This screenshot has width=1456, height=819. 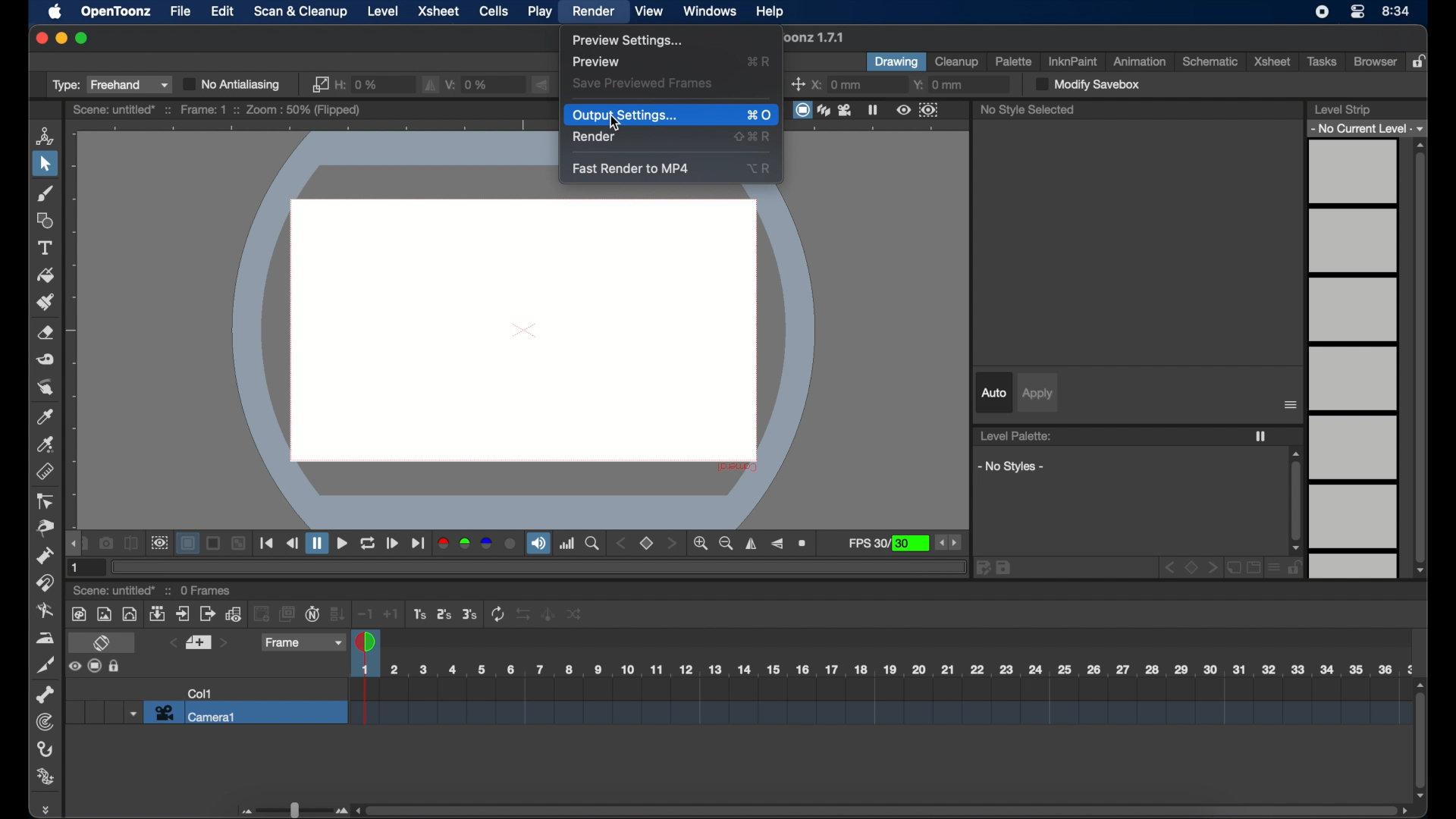 I want to click on edit, so click(x=223, y=12).